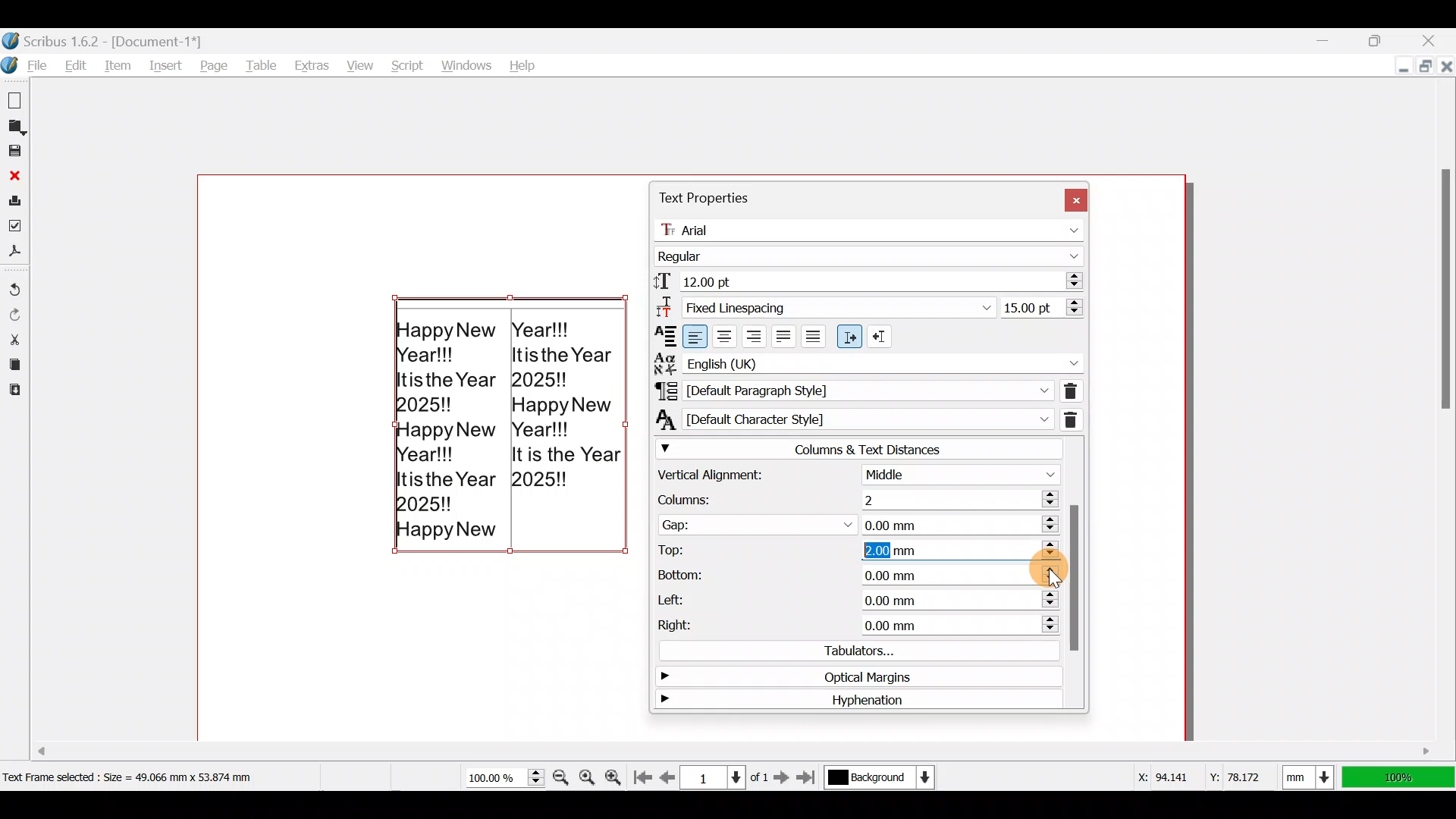 The width and height of the screenshot is (1456, 819). What do you see at coordinates (618, 773) in the screenshot?
I see `Zoom in by the stepping value in tools preferences` at bounding box center [618, 773].